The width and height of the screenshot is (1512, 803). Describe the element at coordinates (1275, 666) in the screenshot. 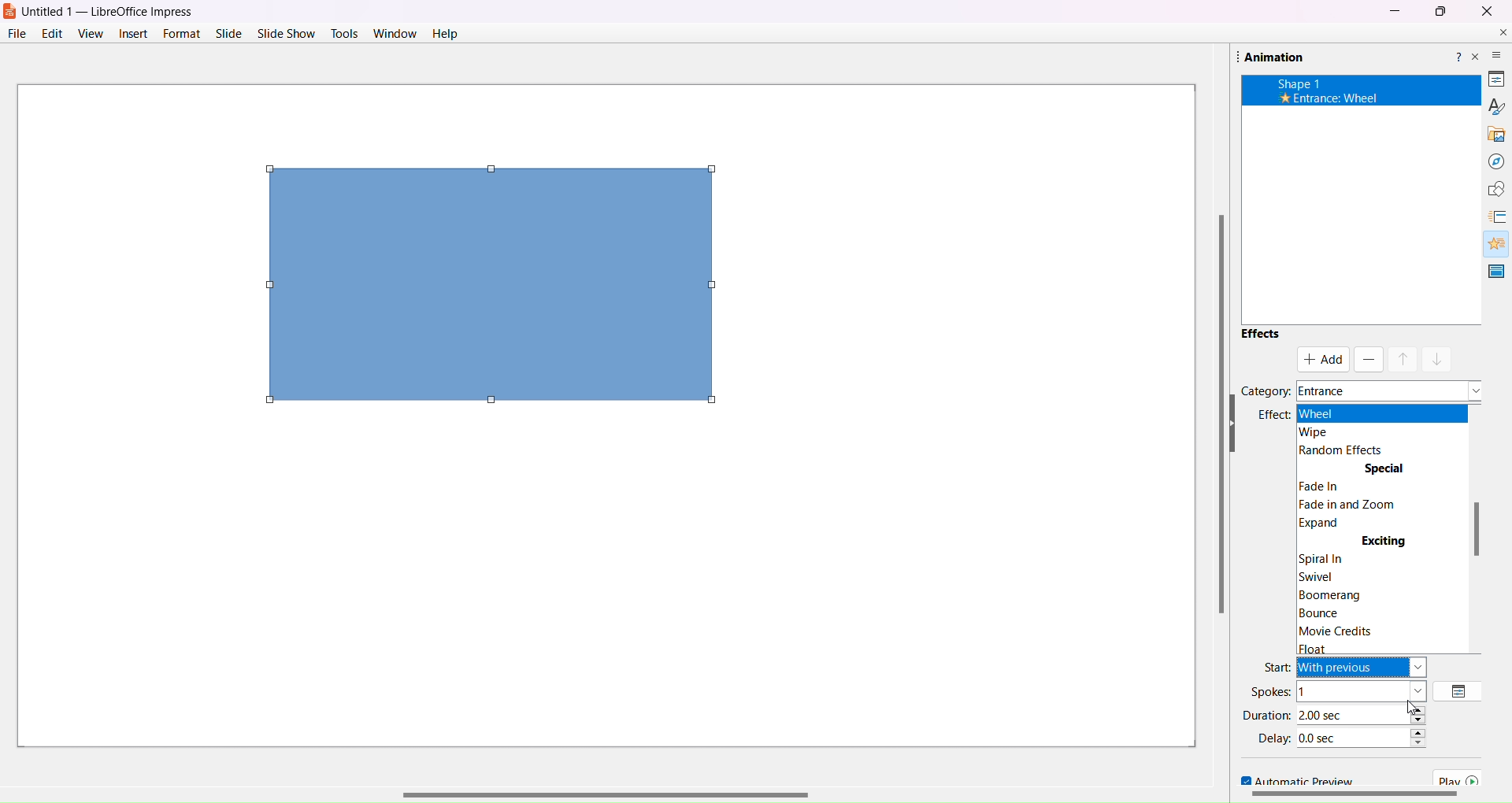

I see `Start` at that location.